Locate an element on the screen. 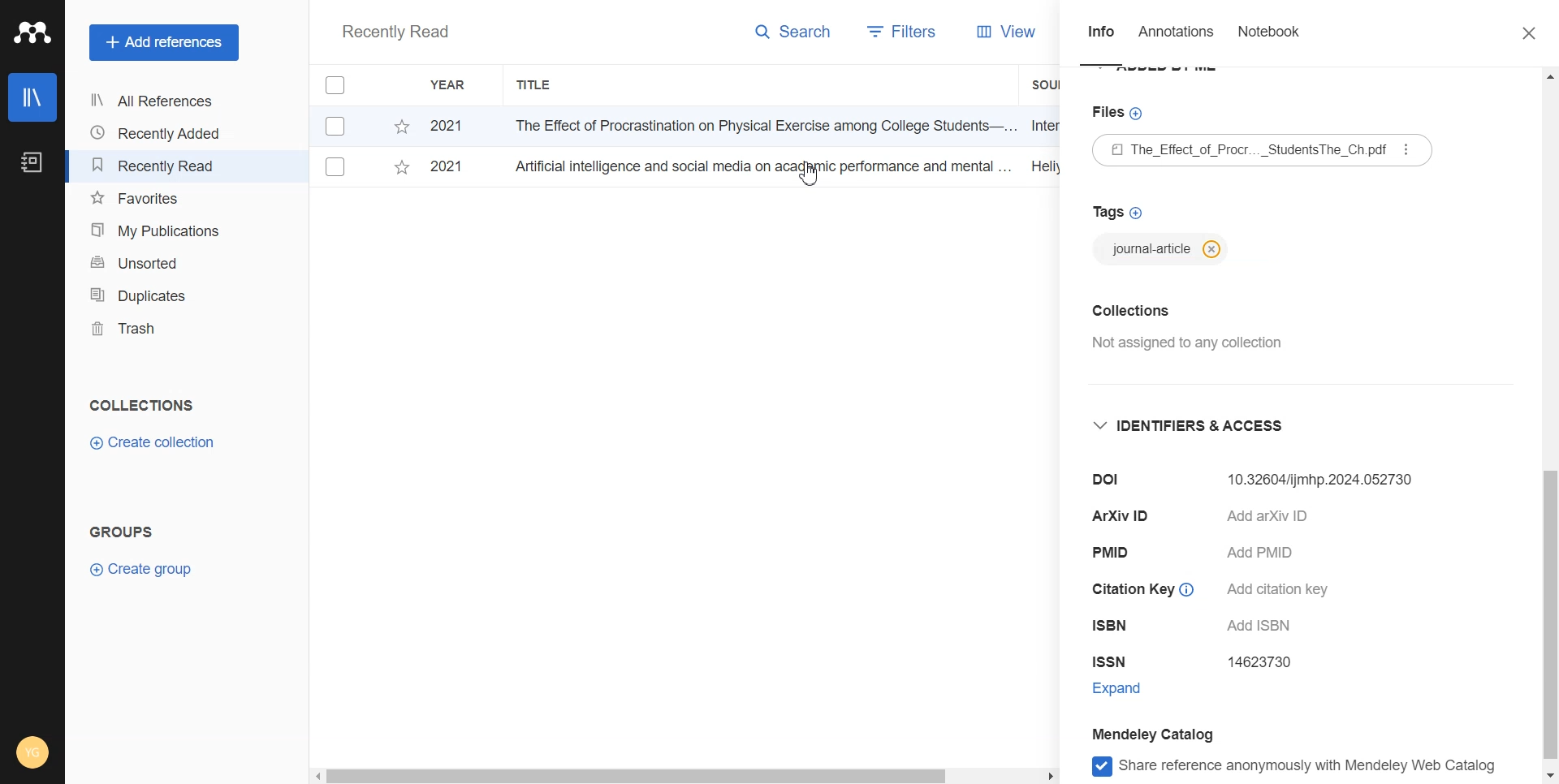  Search is located at coordinates (794, 35).